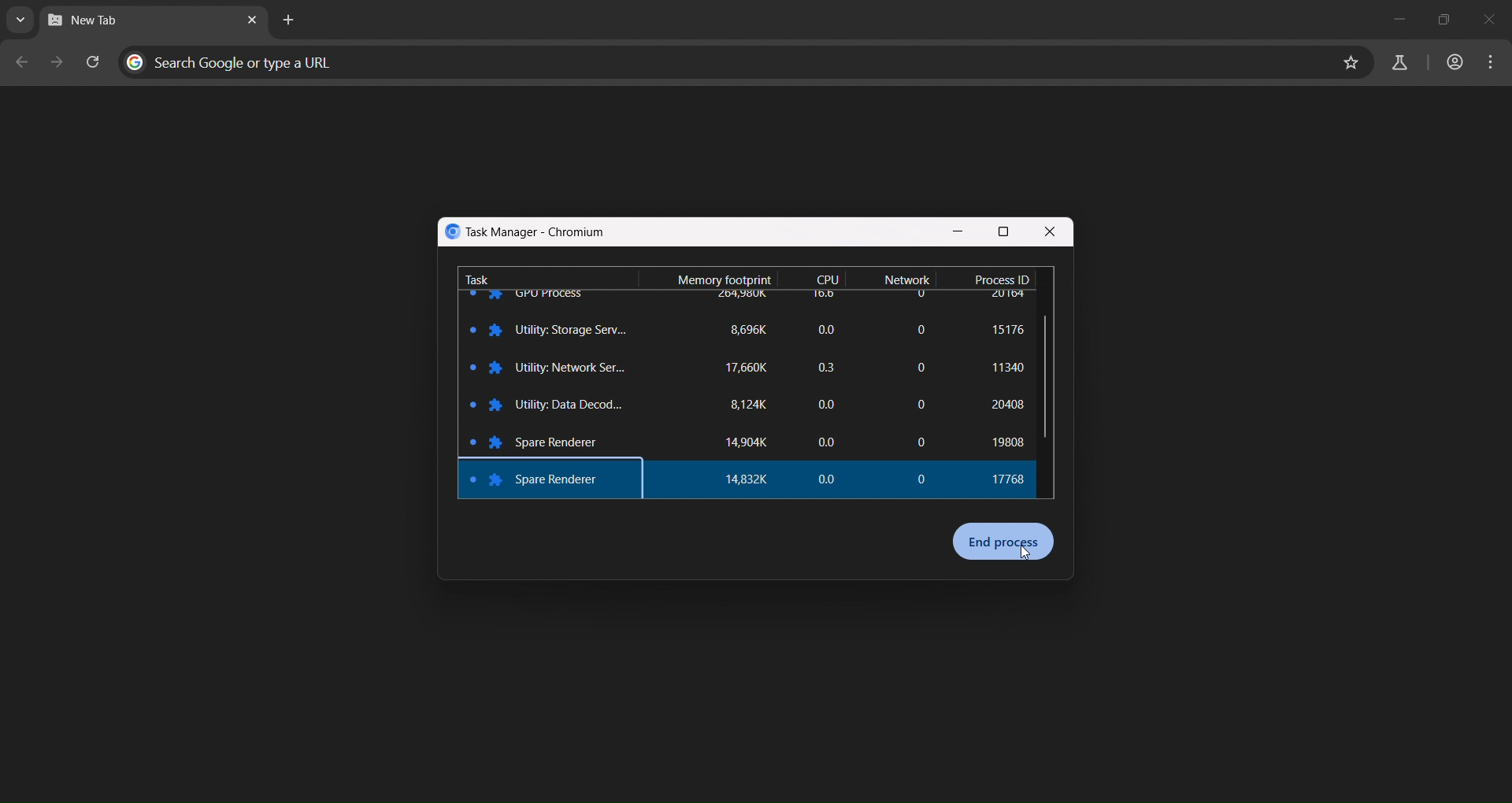 This screenshot has width=1512, height=803. Describe the element at coordinates (922, 368) in the screenshot. I see `0` at that location.